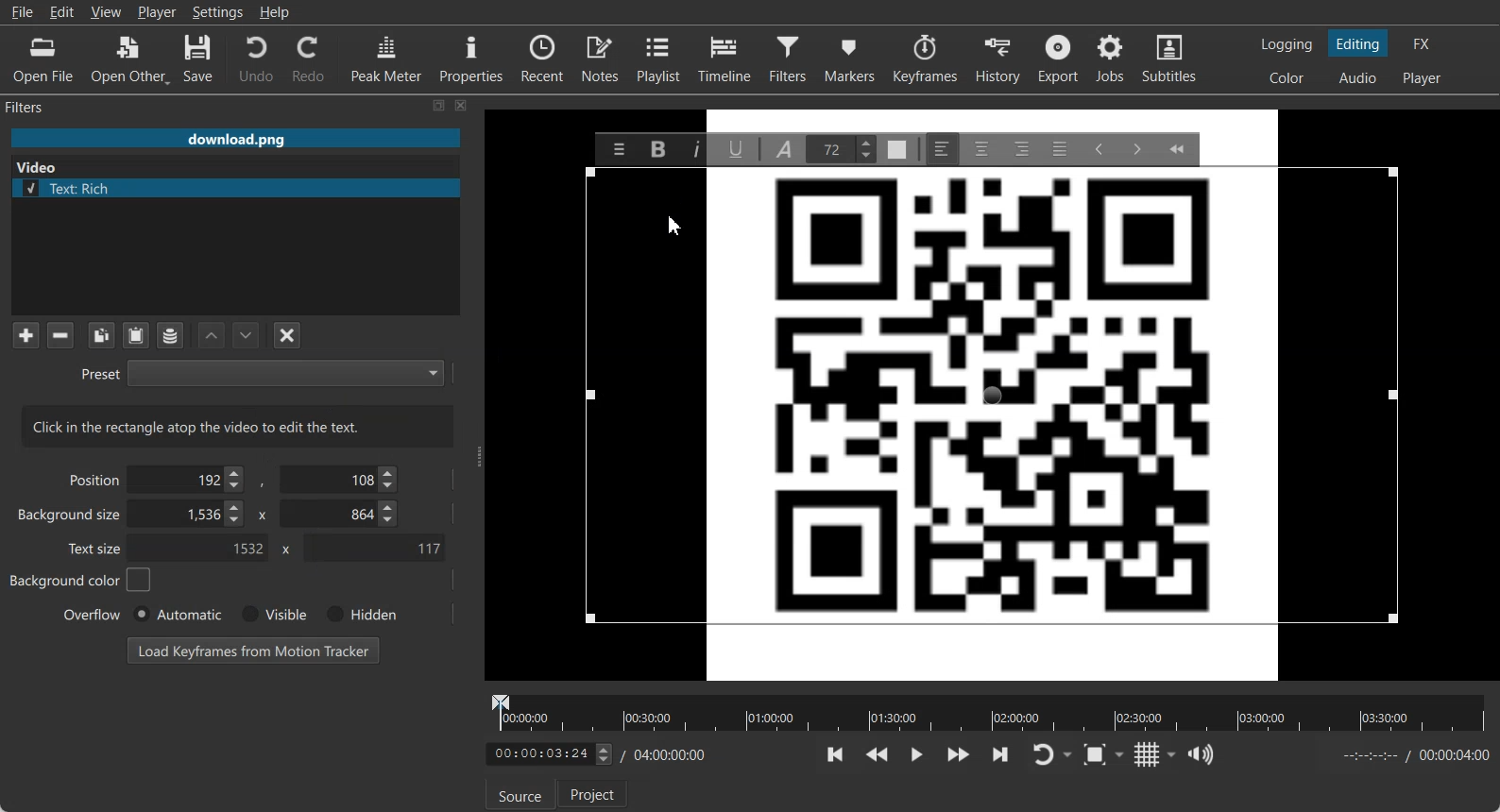 The image size is (1500, 812). Describe the element at coordinates (784, 149) in the screenshot. I see `Font` at that location.